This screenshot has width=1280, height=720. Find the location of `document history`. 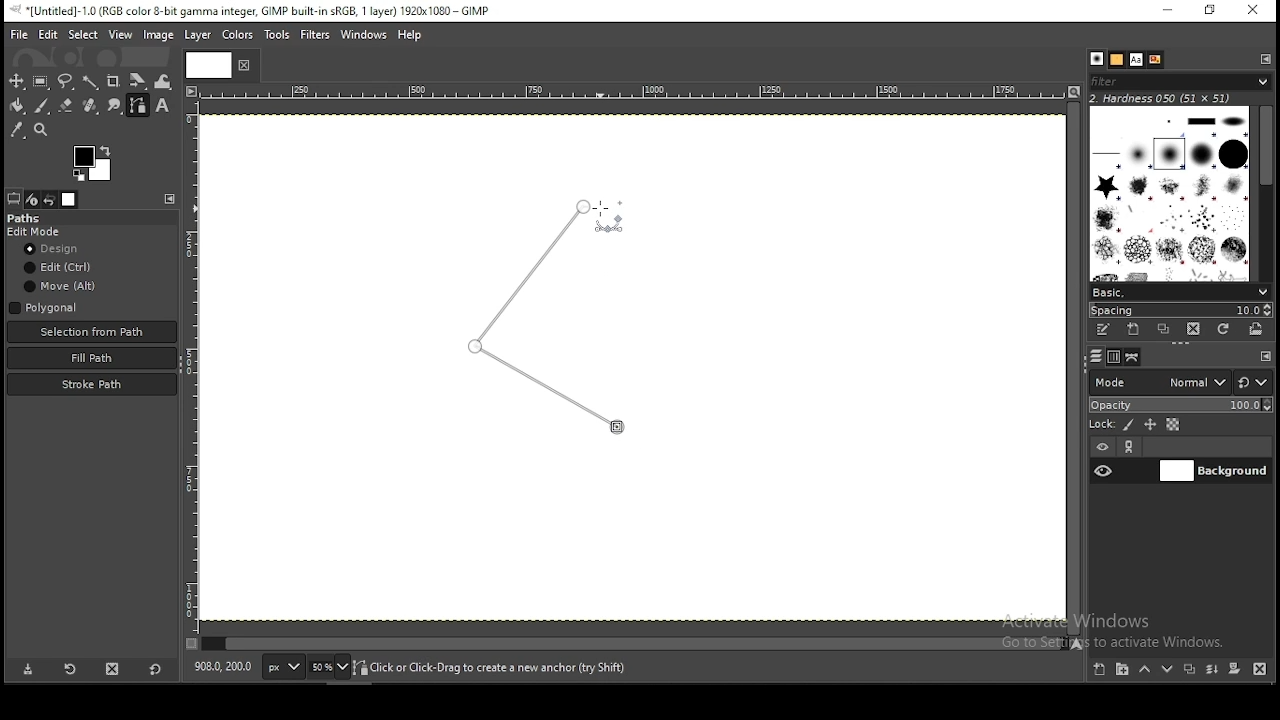

document history is located at coordinates (1154, 59).